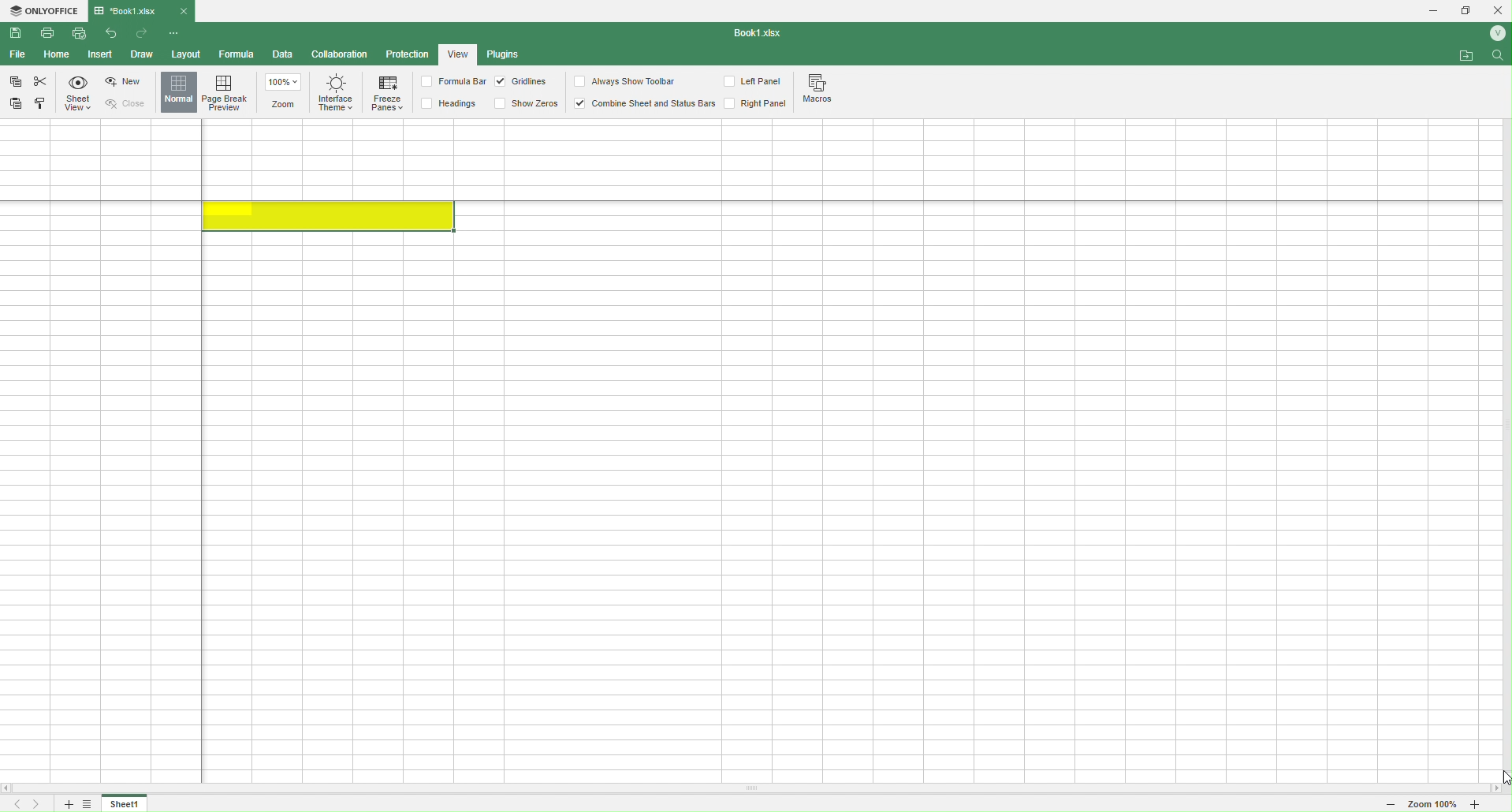 This screenshot has height=812, width=1512. Describe the element at coordinates (507, 55) in the screenshot. I see `Plugins` at that location.